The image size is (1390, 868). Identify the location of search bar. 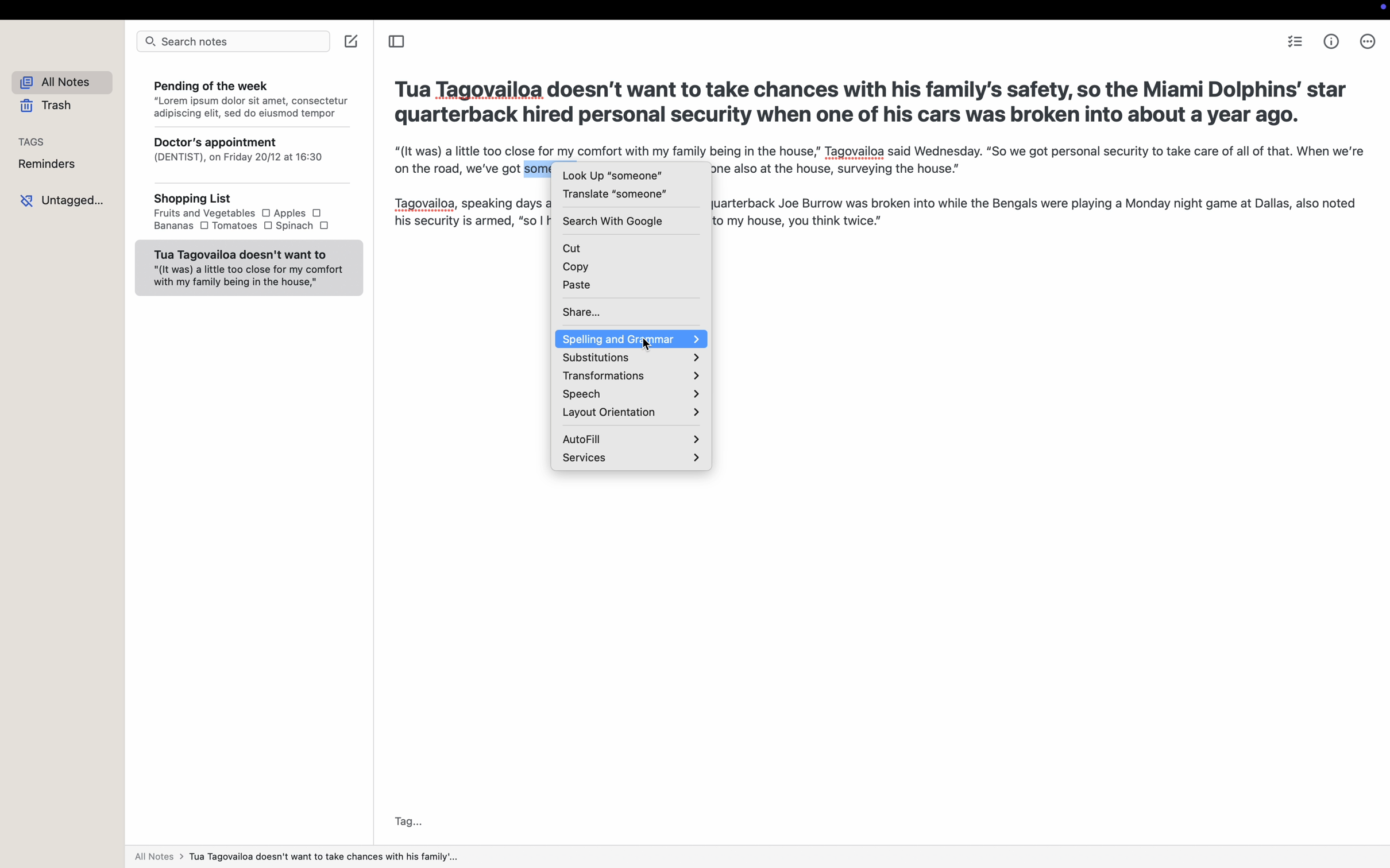
(231, 43).